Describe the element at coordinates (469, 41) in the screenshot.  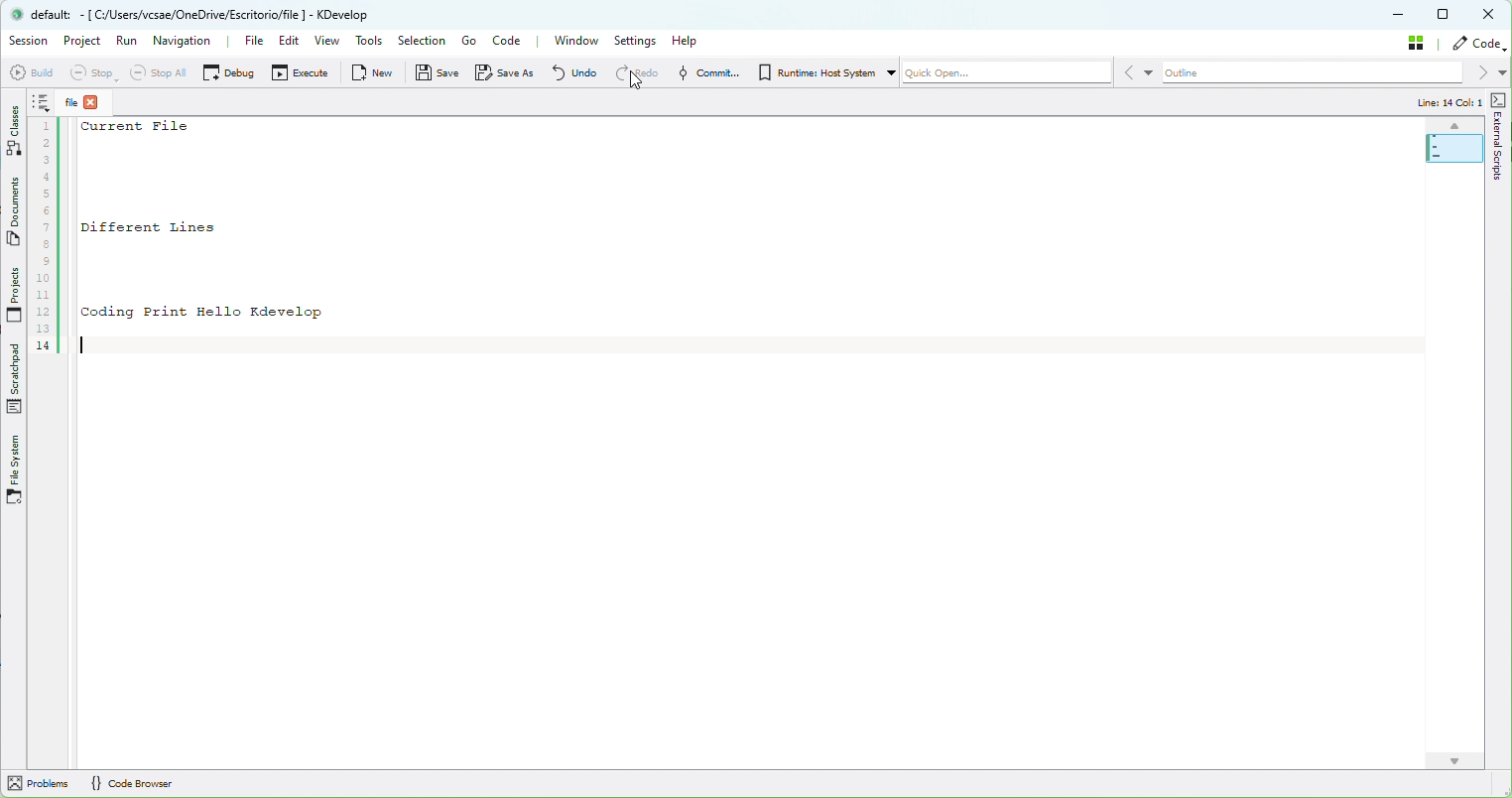
I see `Go` at that location.